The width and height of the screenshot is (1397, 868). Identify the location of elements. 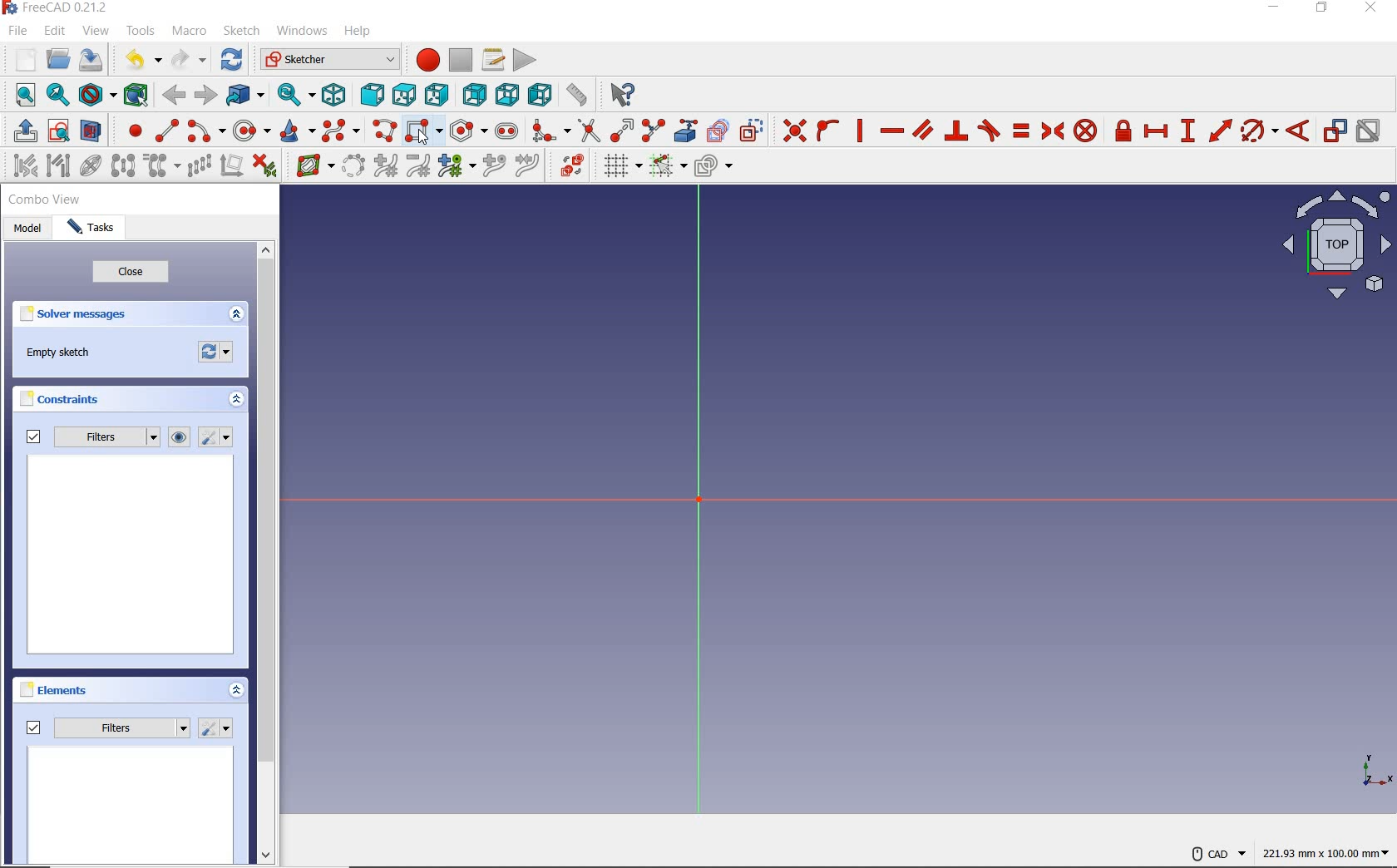
(84, 692).